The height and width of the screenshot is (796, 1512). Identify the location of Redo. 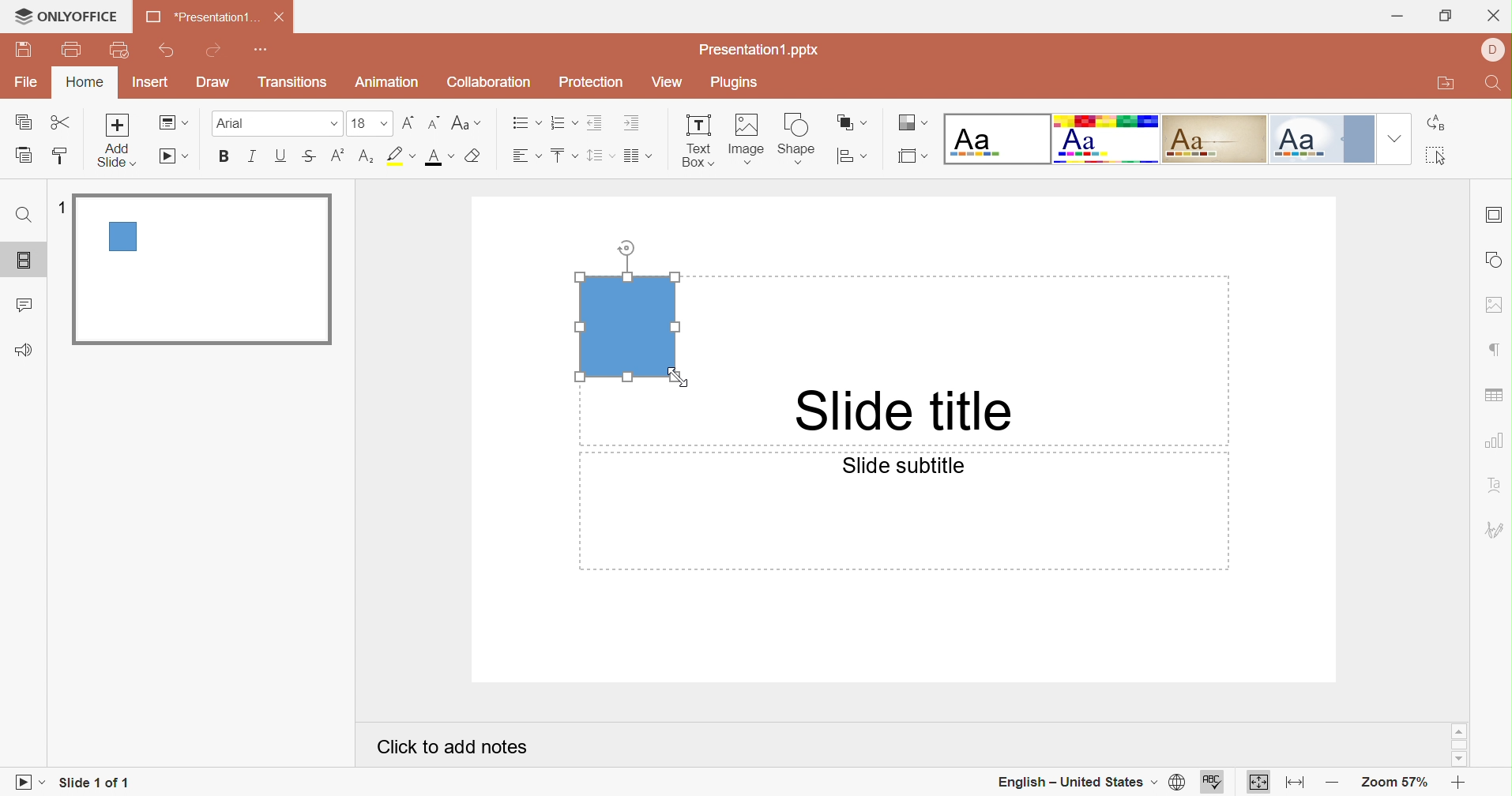
(215, 52).